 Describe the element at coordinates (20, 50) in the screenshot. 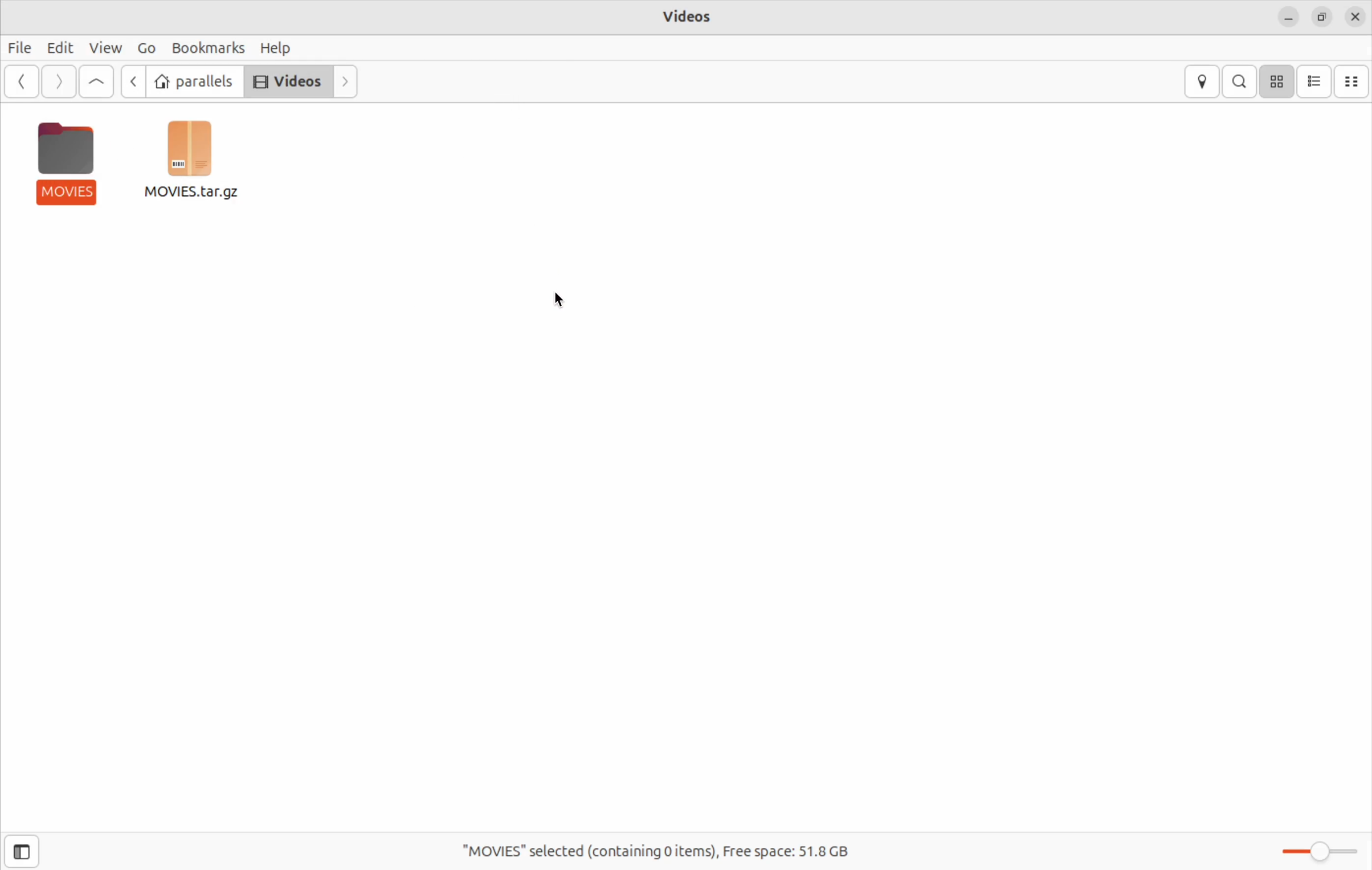

I see `Files` at that location.